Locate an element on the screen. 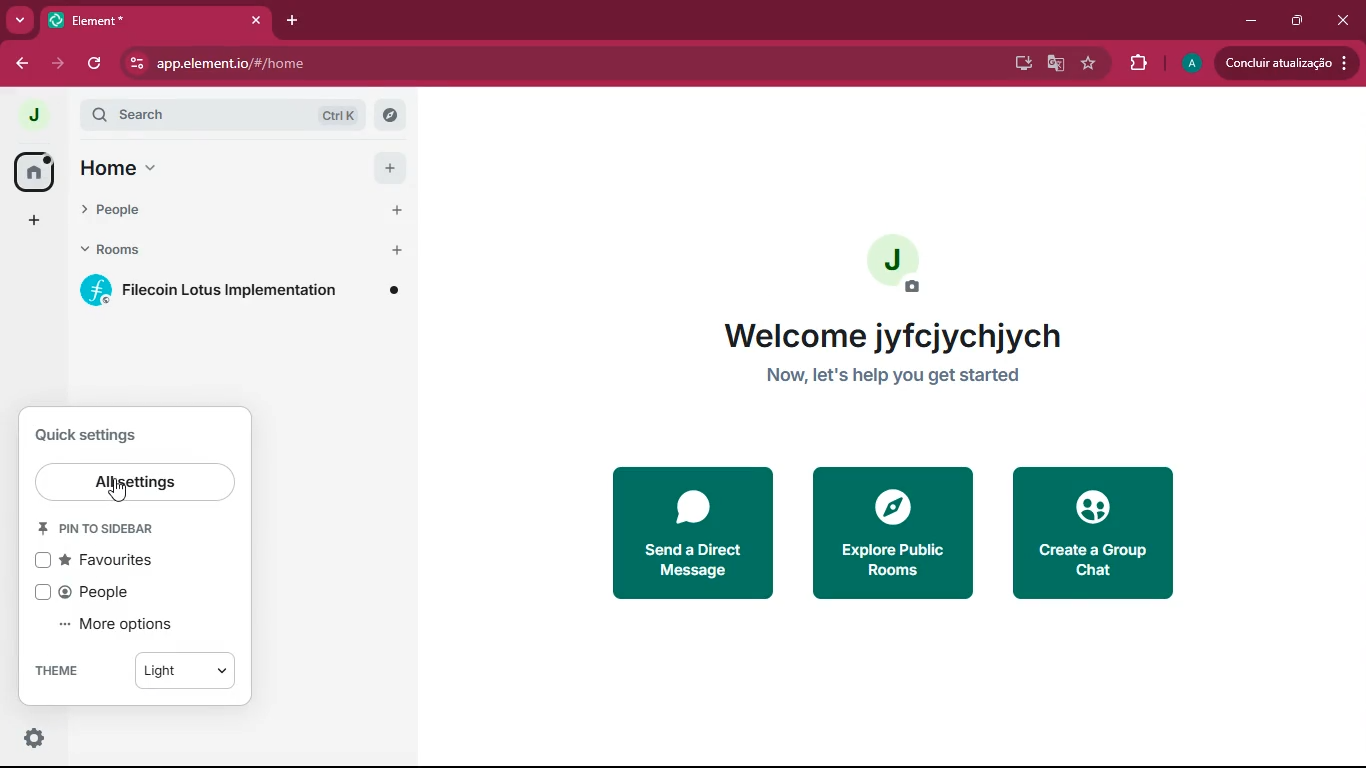 The image size is (1366, 768). welcome jyfcjychjych is located at coordinates (889, 331).